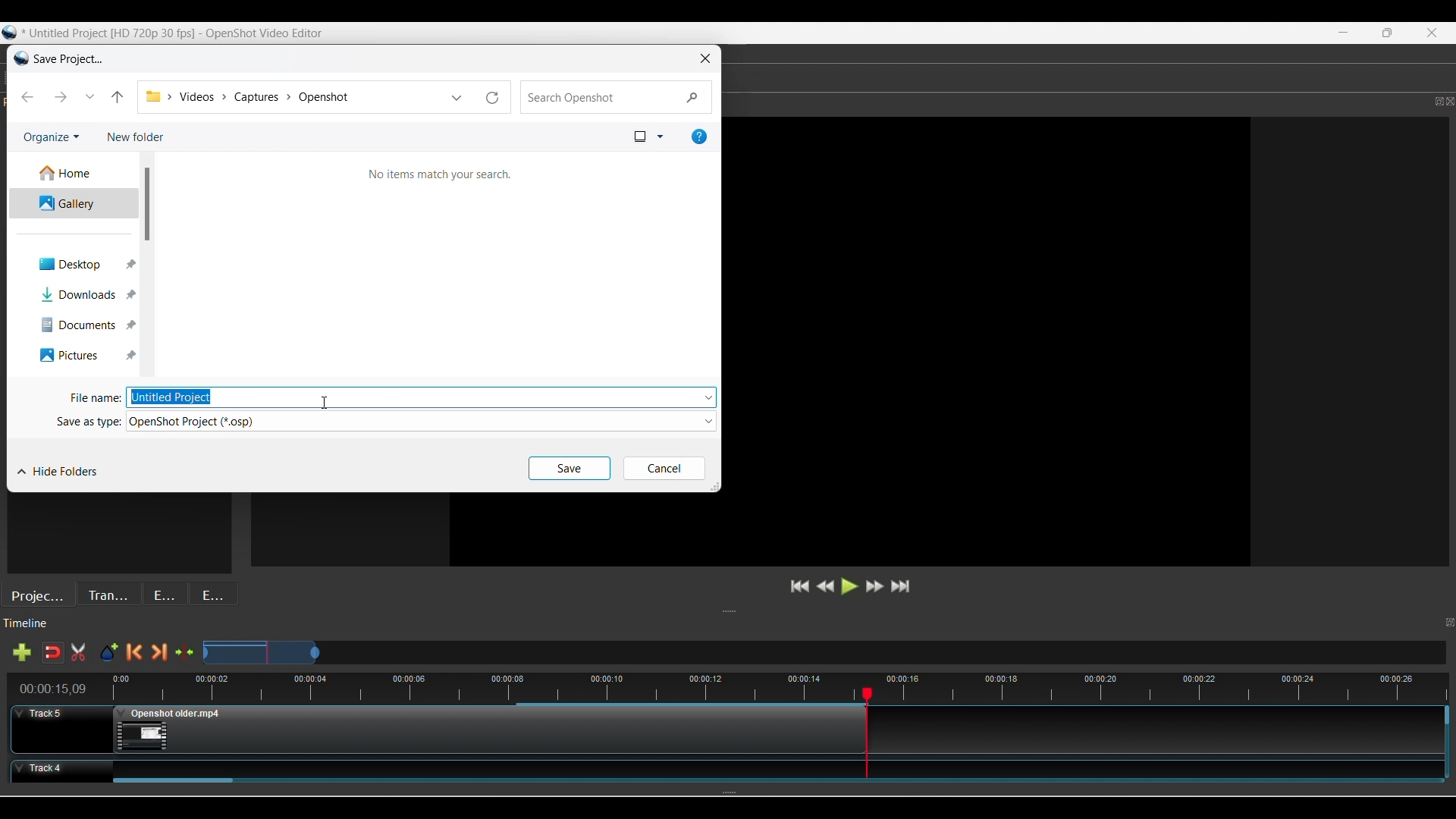 This screenshot has height=819, width=1456. What do you see at coordinates (55, 771) in the screenshot?
I see `Track Header for track 4` at bounding box center [55, 771].